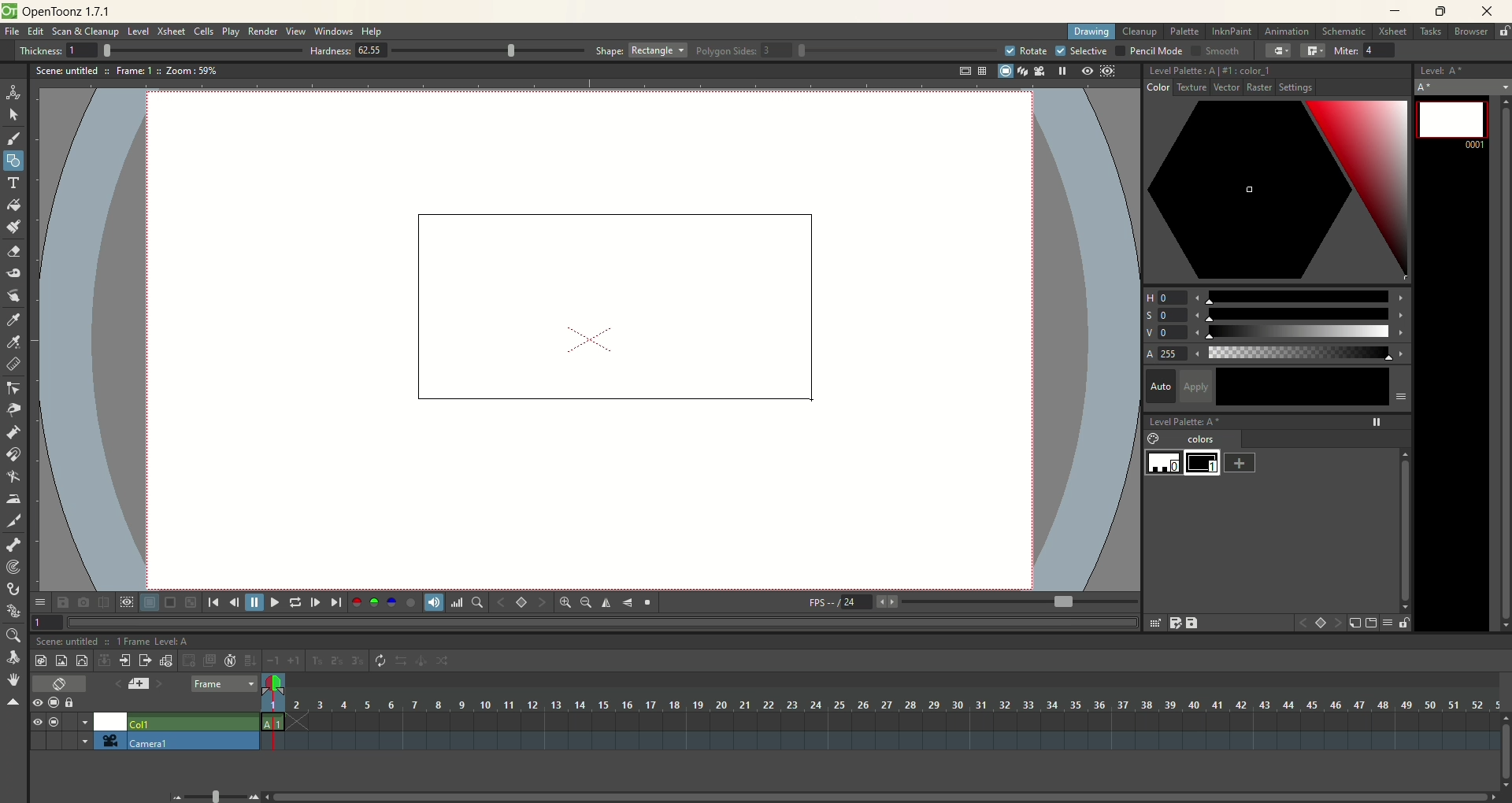 Image resolution: width=1512 pixels, height=803 pixels. What do you see at coordinates (1084, 72) in the screenshot?
I see `preview` at bounding box center [1084, 72].